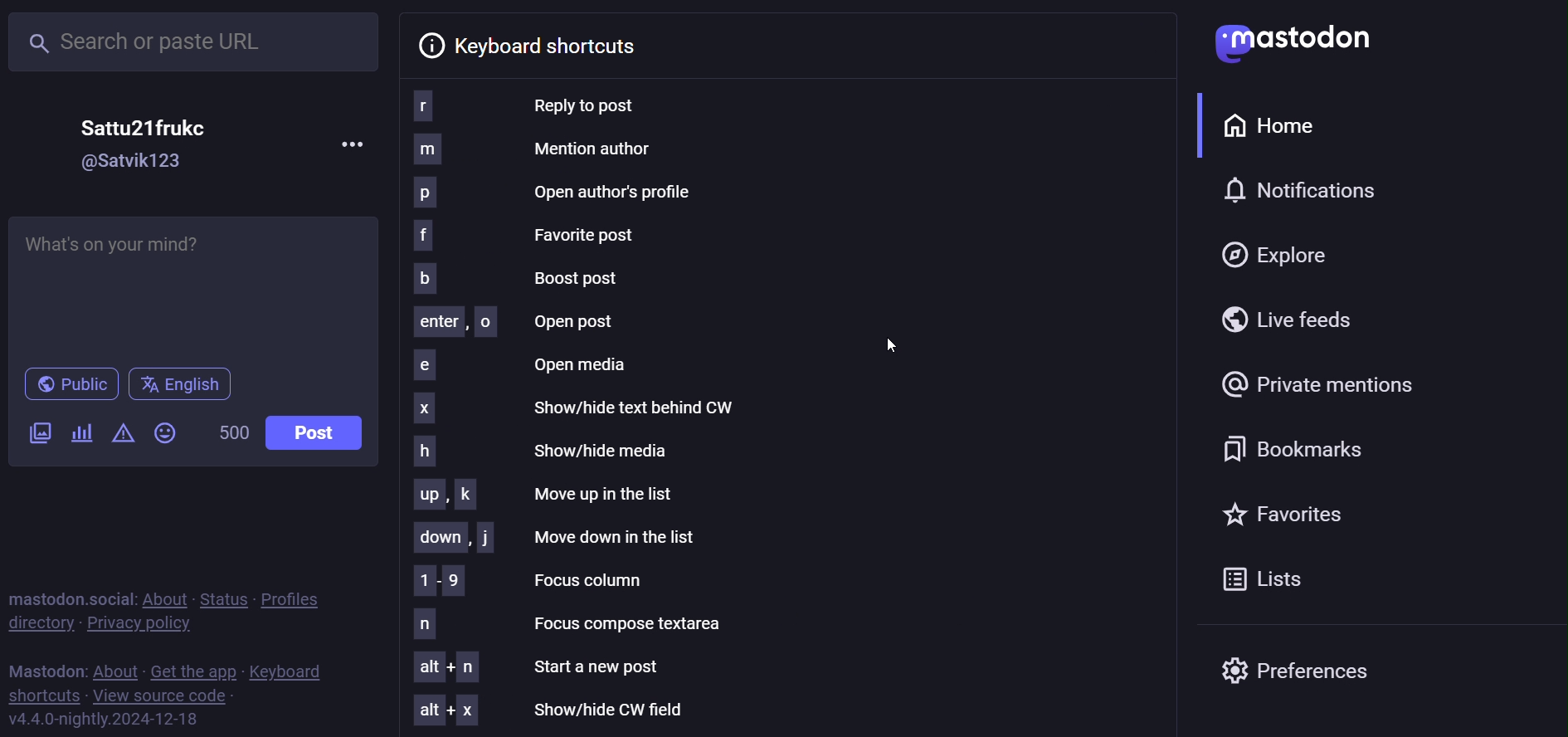  I want to click on open author profile, so click(621, 191).